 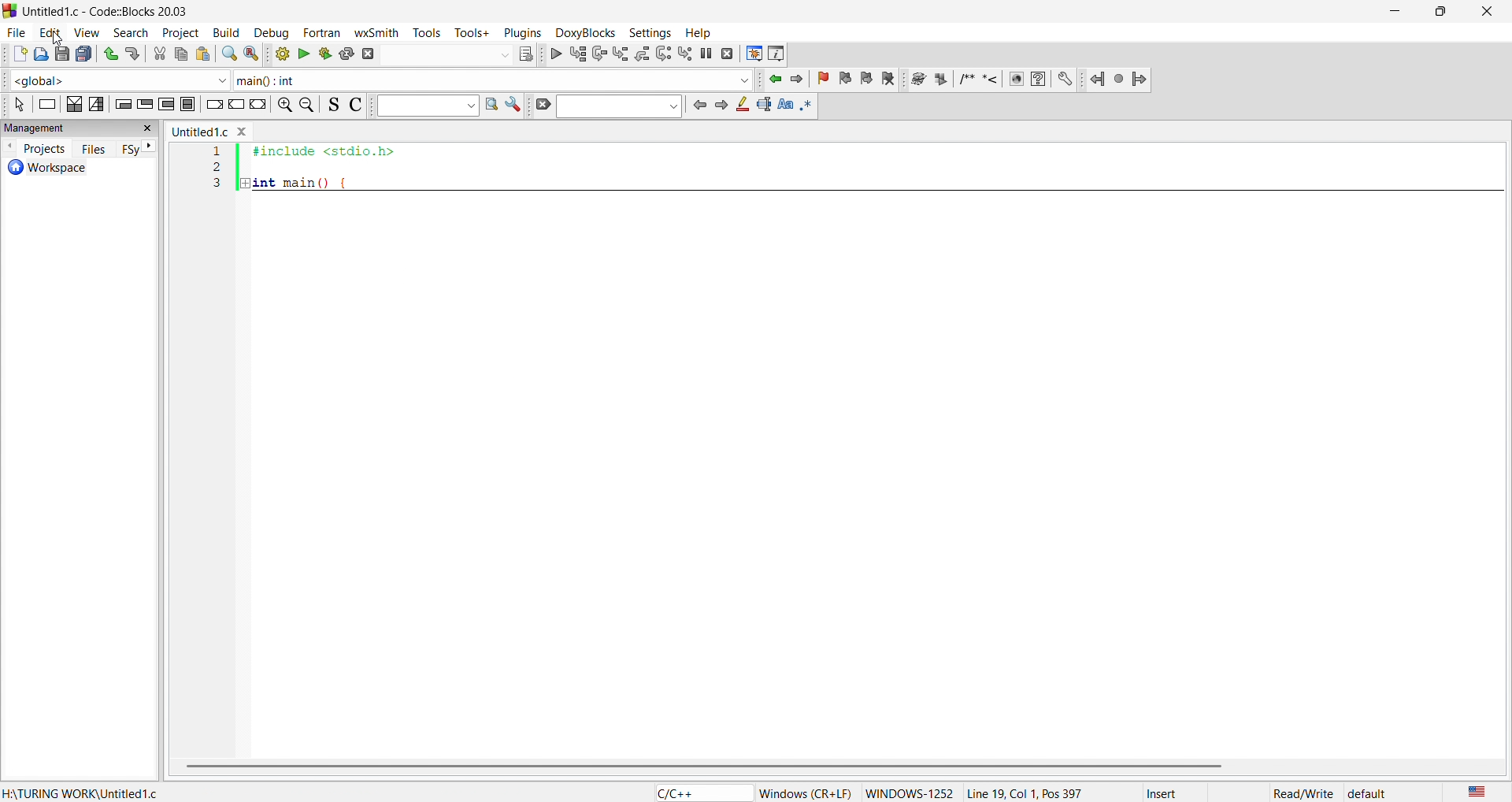 I want to click on tools, so click(x=430, y=32).